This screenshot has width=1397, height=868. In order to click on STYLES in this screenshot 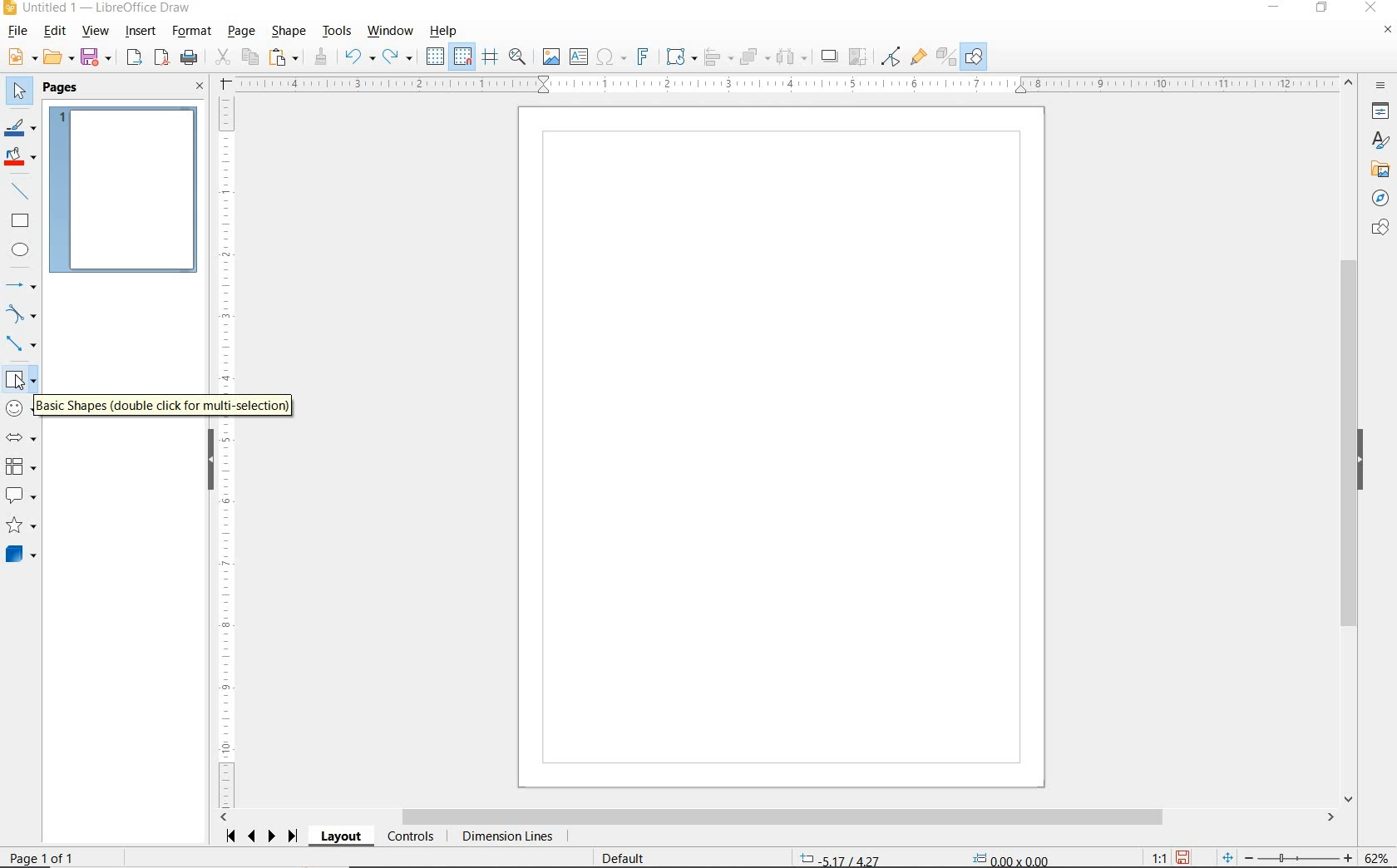, I will do `click(1376, 141)`.